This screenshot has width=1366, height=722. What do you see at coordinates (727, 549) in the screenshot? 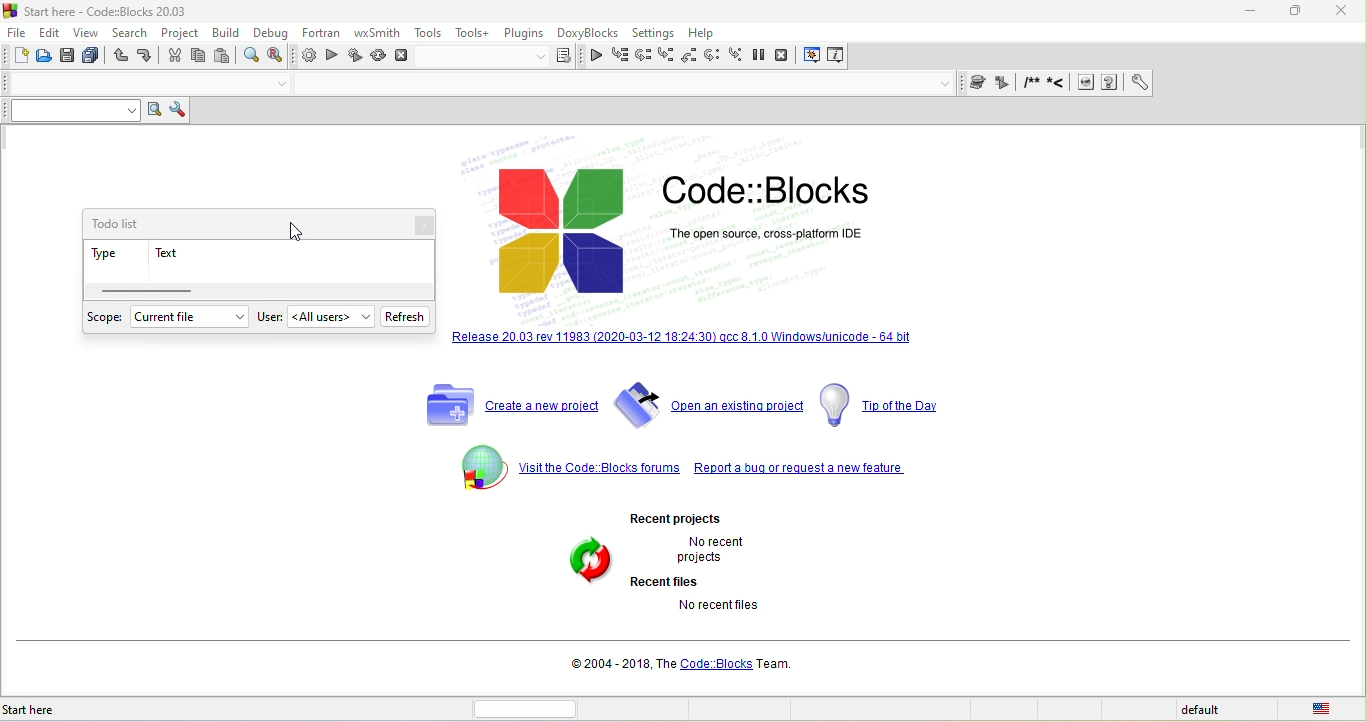
I see `no recent projects ` at bounding box center [727, 549].